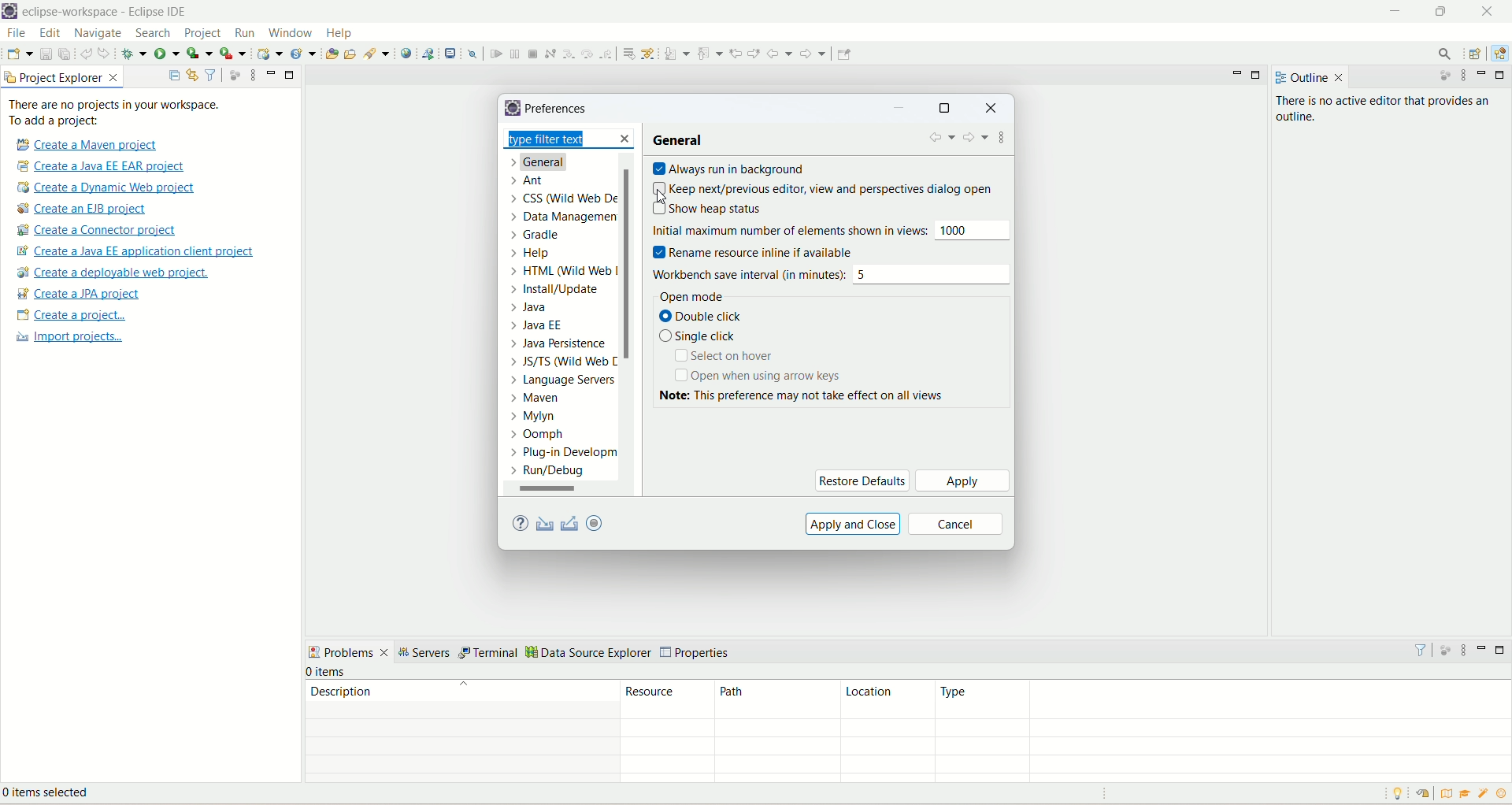 Image resolution: width=1512 pixels, height=805 pixels. Describe the element at coordinates (249, 76) in the screenshot. I see `view menu` at that location.